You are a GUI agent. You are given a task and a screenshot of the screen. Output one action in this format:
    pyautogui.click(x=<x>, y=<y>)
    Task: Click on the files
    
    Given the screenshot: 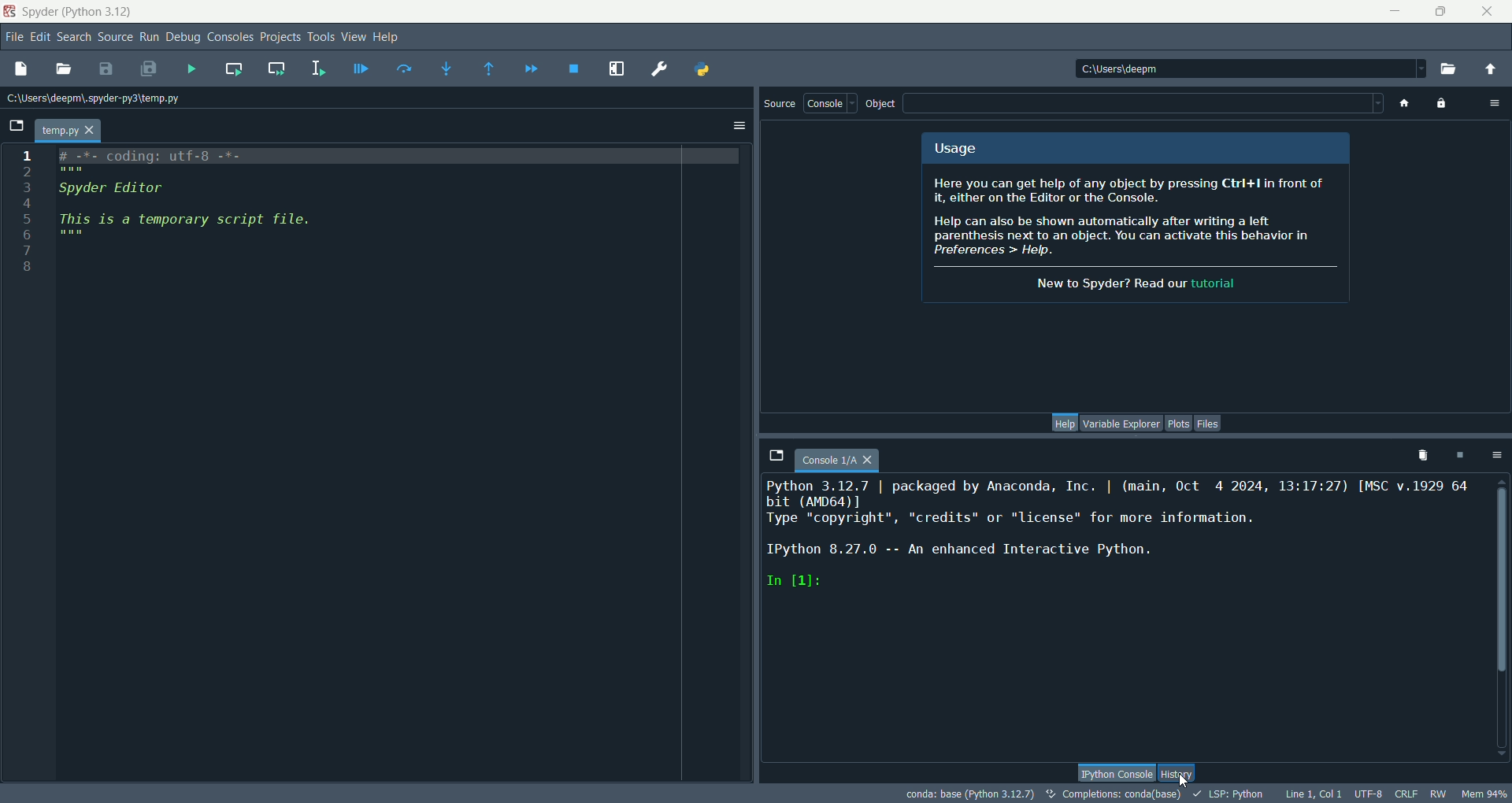 What is the action you would take?
    pyautogui.click(x=1207, y=423)
    